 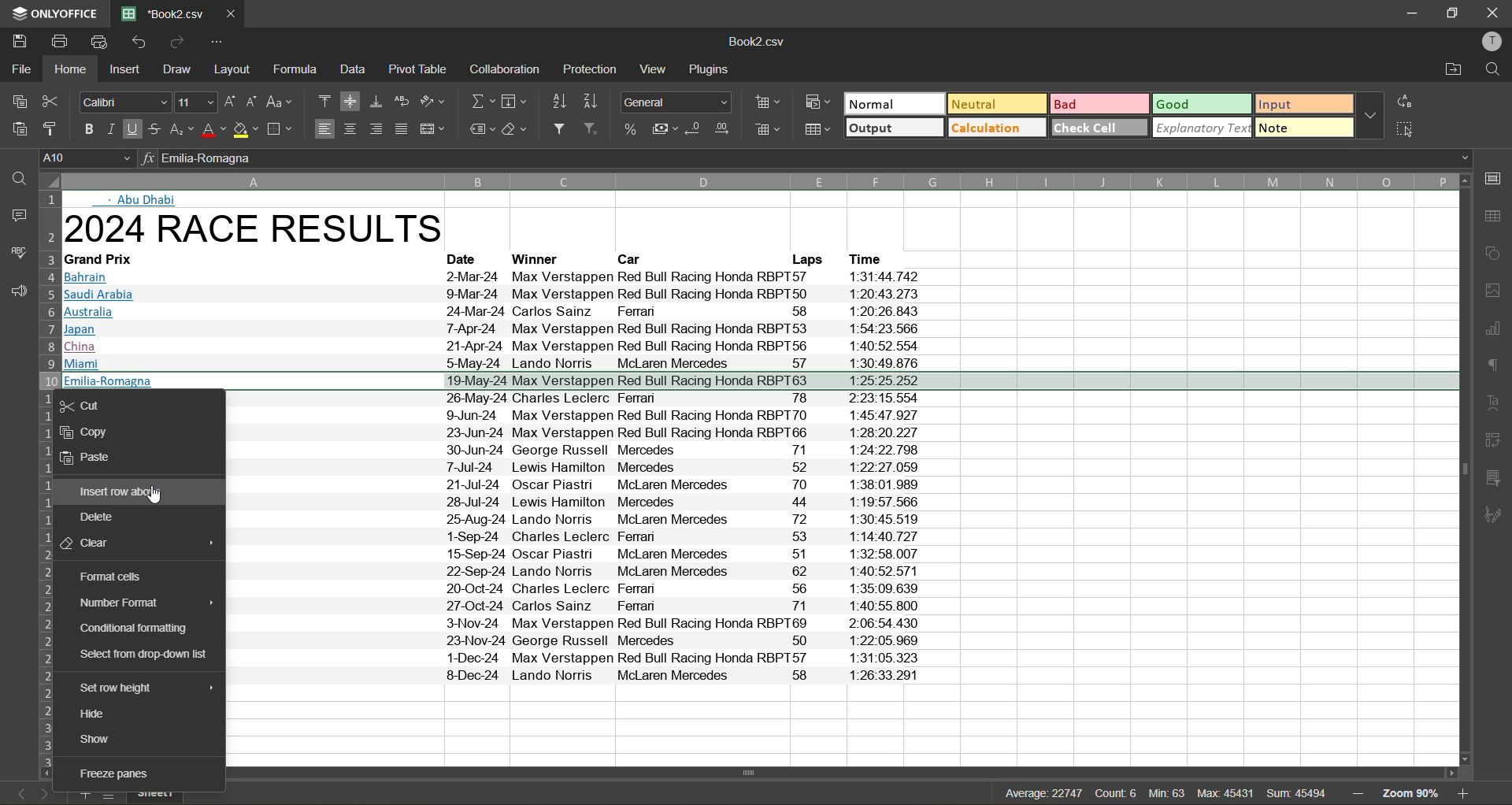 What do you see at coordinates (998, 127) in the screenshot?
I see `calculation` at bounding box center [998, 127].